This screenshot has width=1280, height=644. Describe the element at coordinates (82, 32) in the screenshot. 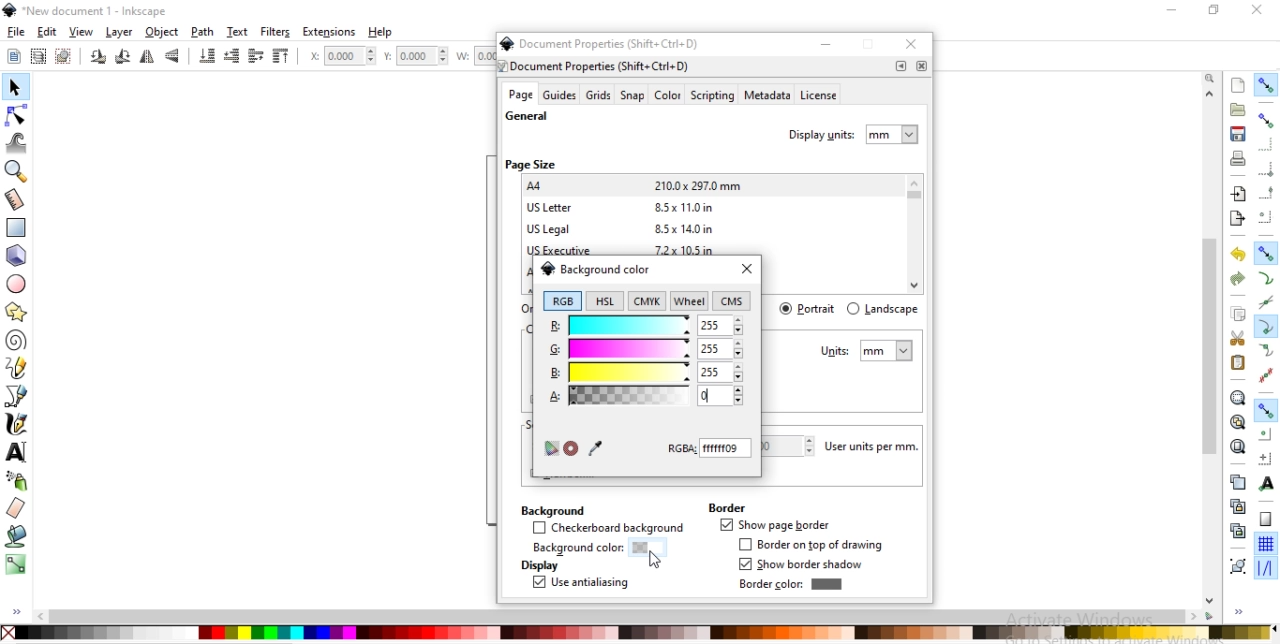

I see `view` at that location.